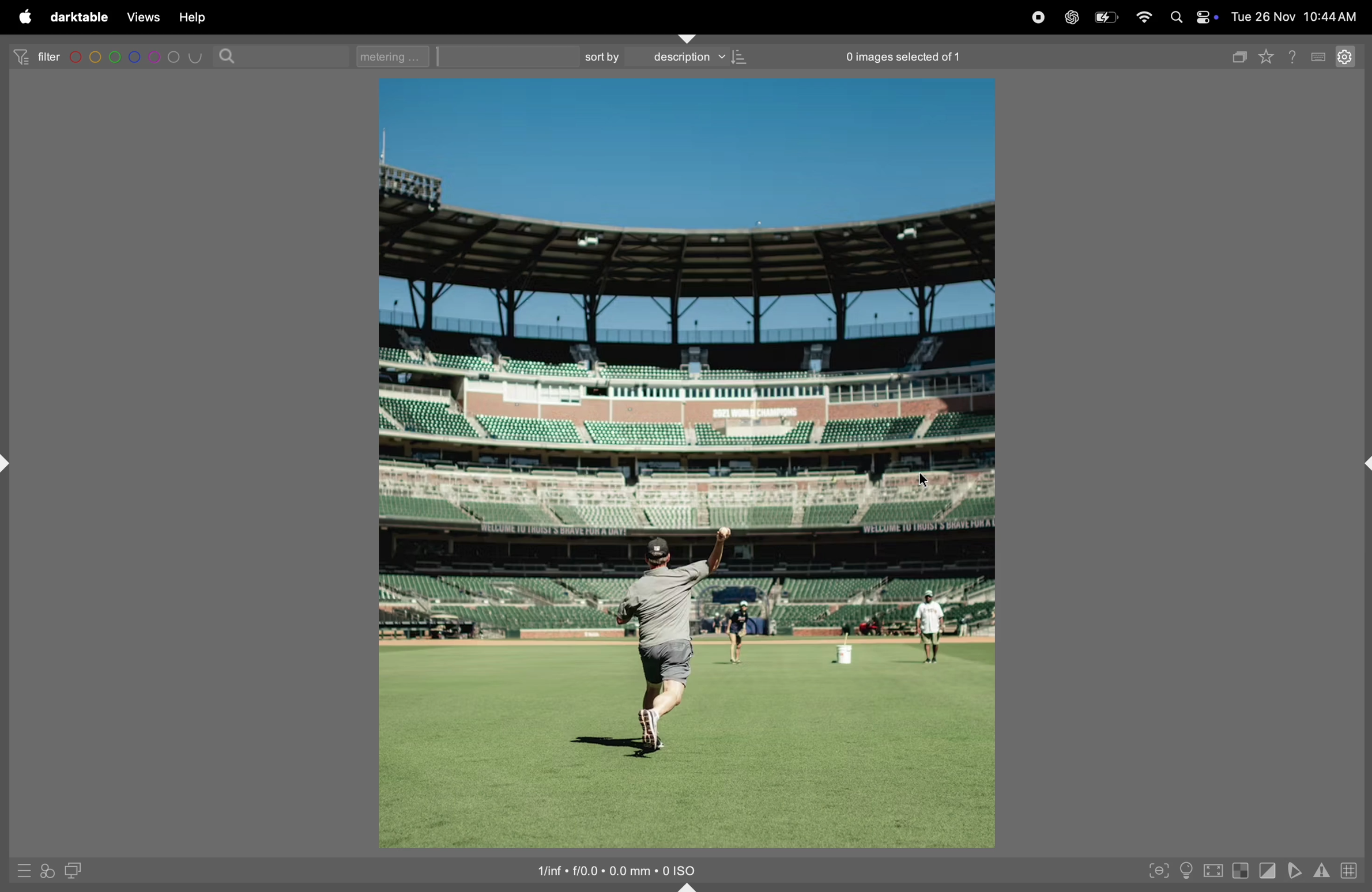  What do you see at coordinates (698, 58) in the screenshot?
I see `description` at bounding box center [698, 58].